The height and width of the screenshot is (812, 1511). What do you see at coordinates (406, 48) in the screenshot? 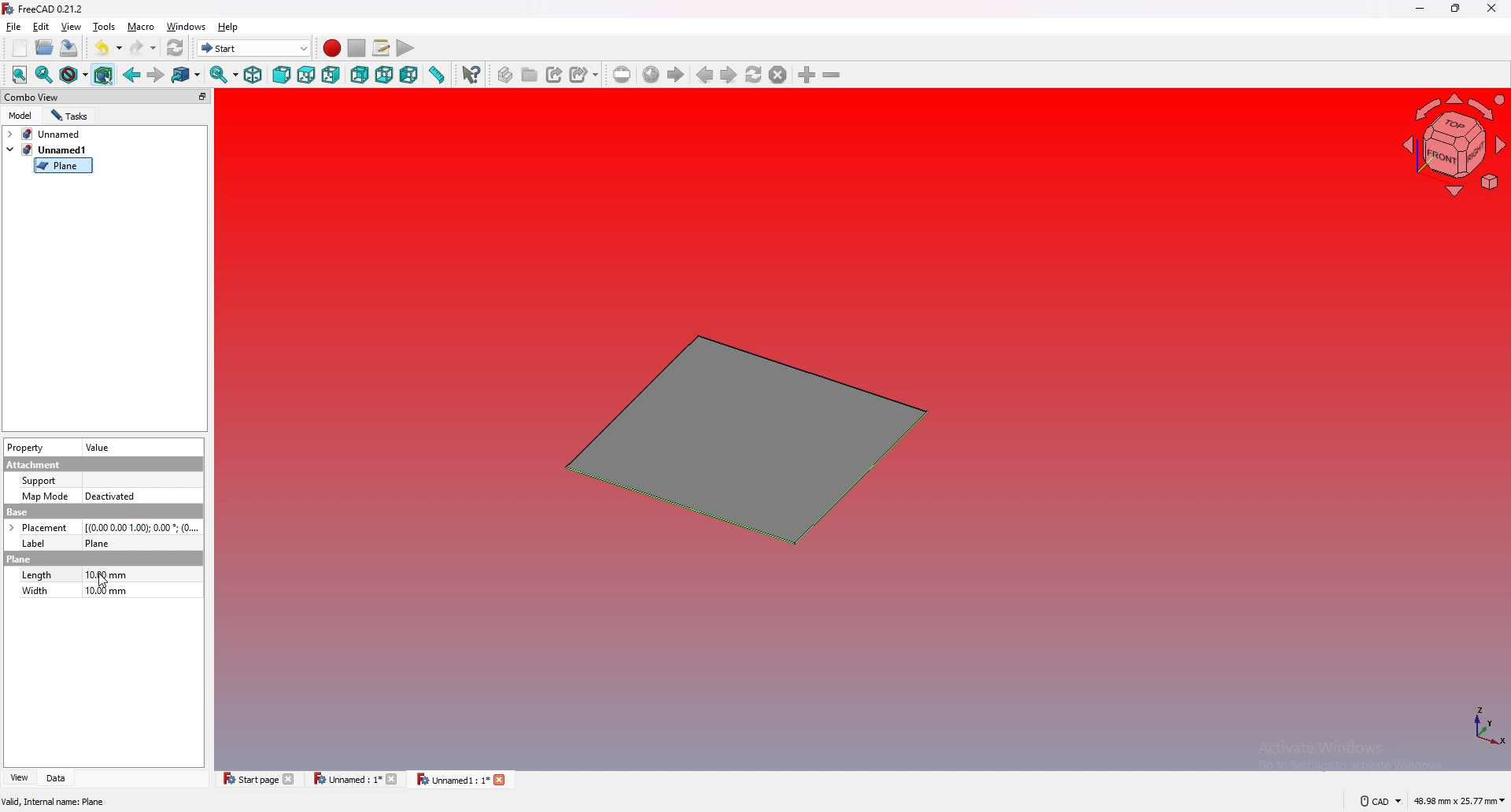
I see `execute macro` at bounding box center [406, 48].